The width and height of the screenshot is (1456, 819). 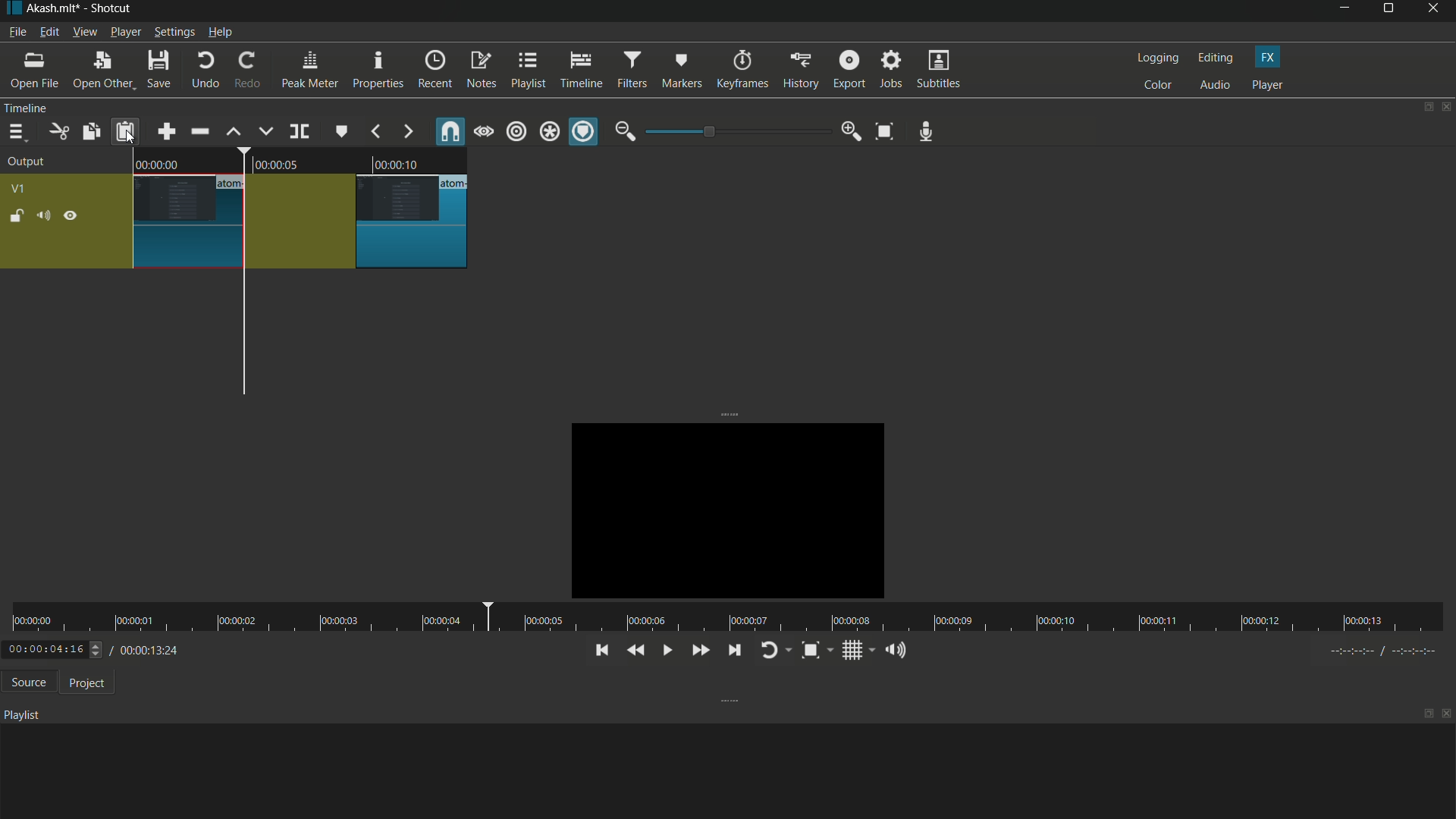 What do you see at coordinates (632, 69) in the screenshot?
I see `filters` at bounding box center [632, 69].